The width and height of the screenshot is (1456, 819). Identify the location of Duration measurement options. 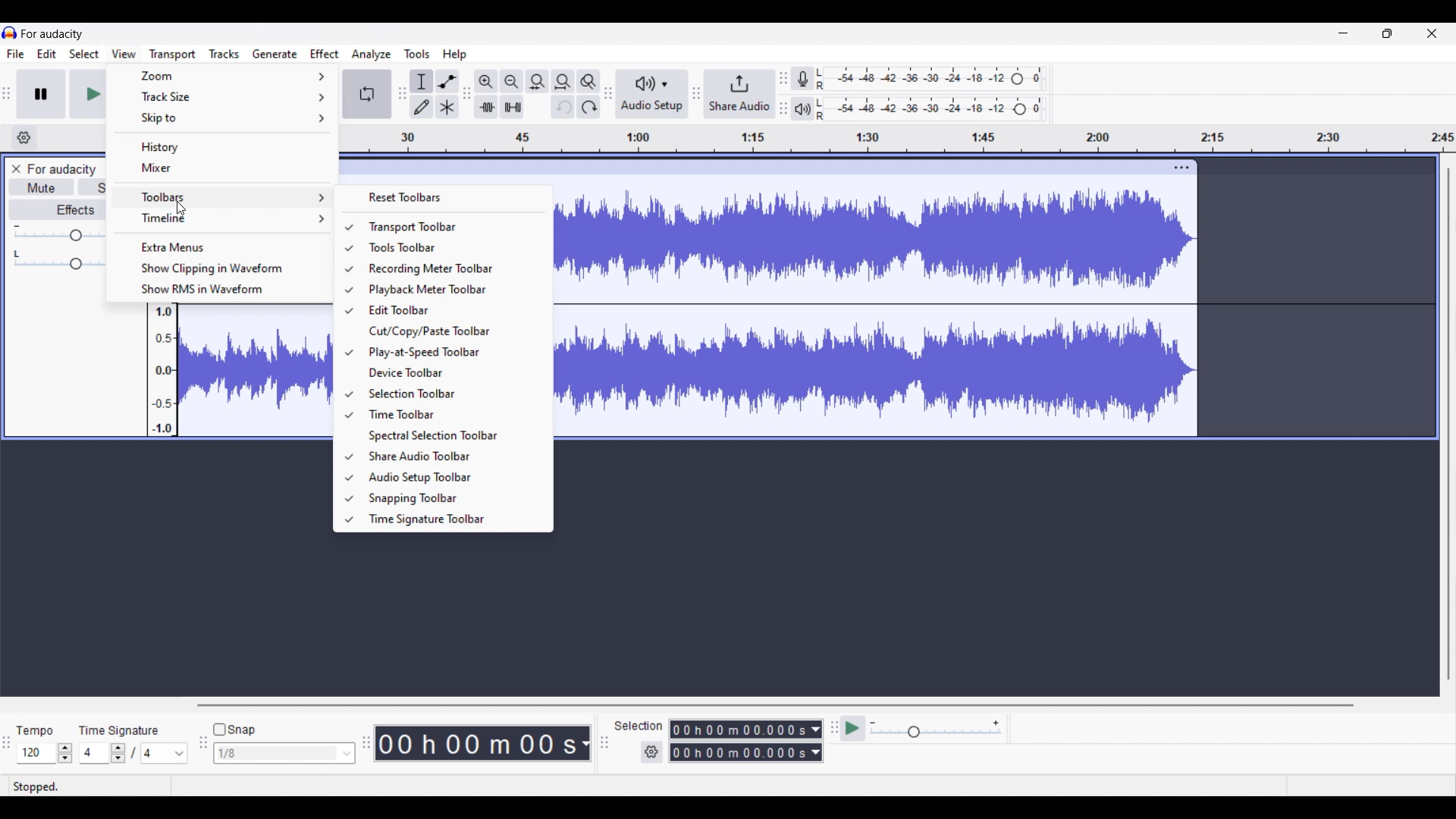
(817, 740).